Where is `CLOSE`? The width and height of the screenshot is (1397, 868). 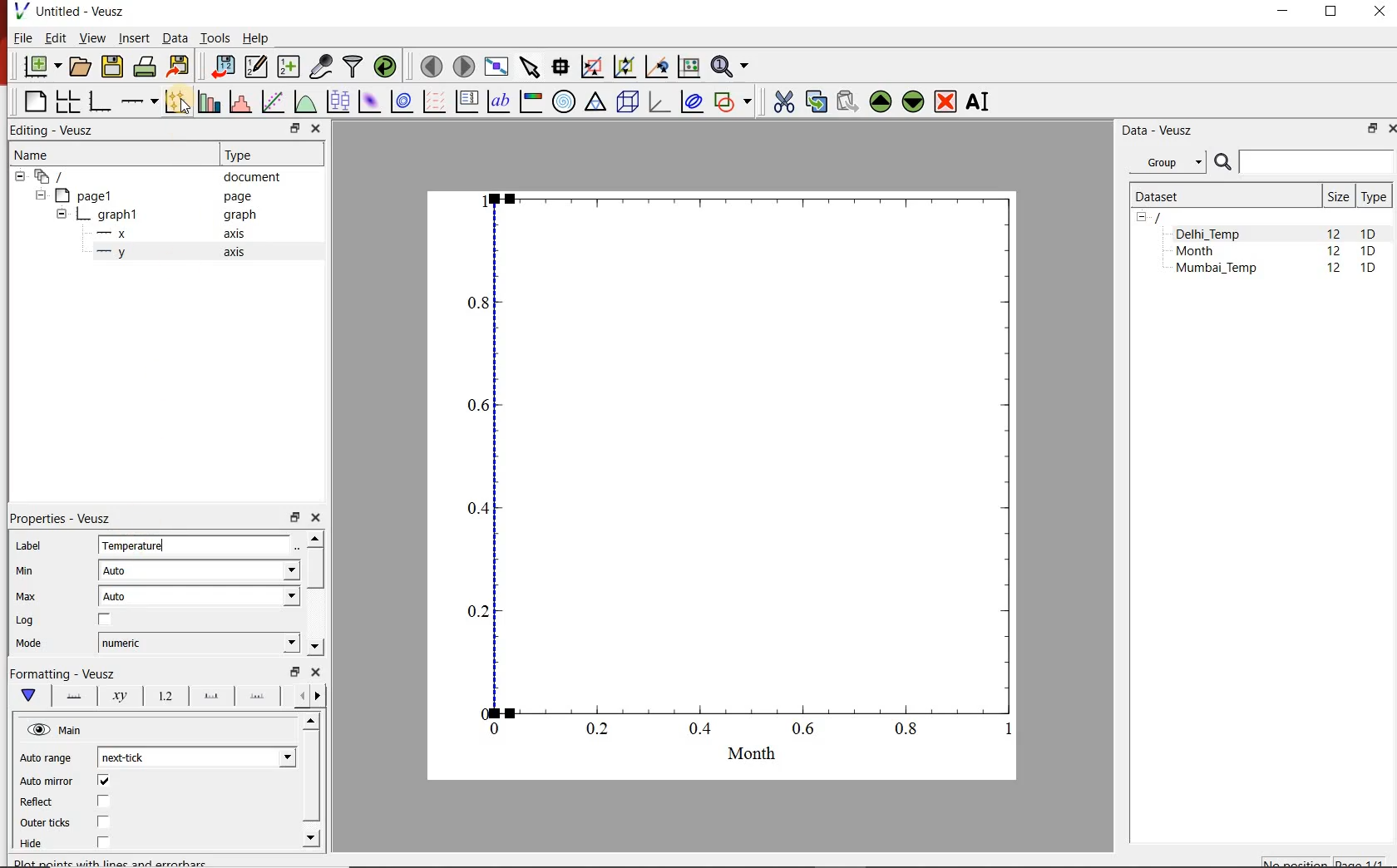
CLOSE is located at coordinates (1390, 129).